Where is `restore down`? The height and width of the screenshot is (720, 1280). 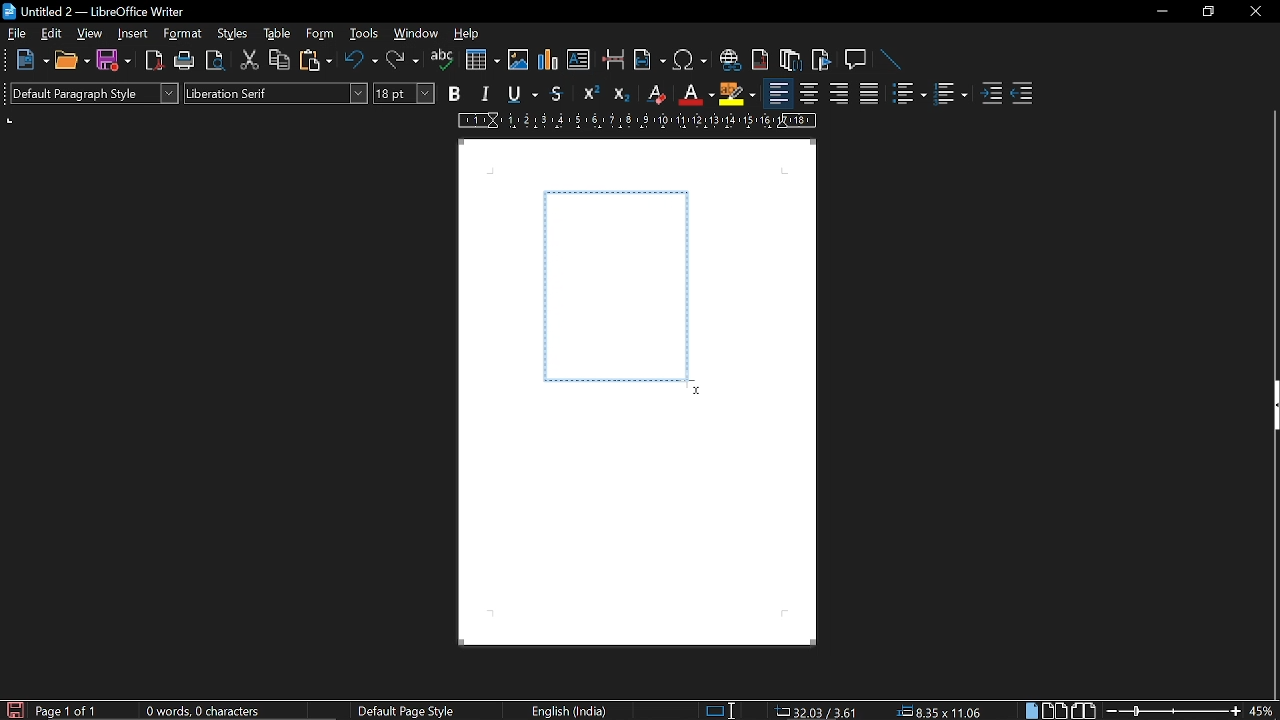 restore down is located at coordinates (1207, 12).